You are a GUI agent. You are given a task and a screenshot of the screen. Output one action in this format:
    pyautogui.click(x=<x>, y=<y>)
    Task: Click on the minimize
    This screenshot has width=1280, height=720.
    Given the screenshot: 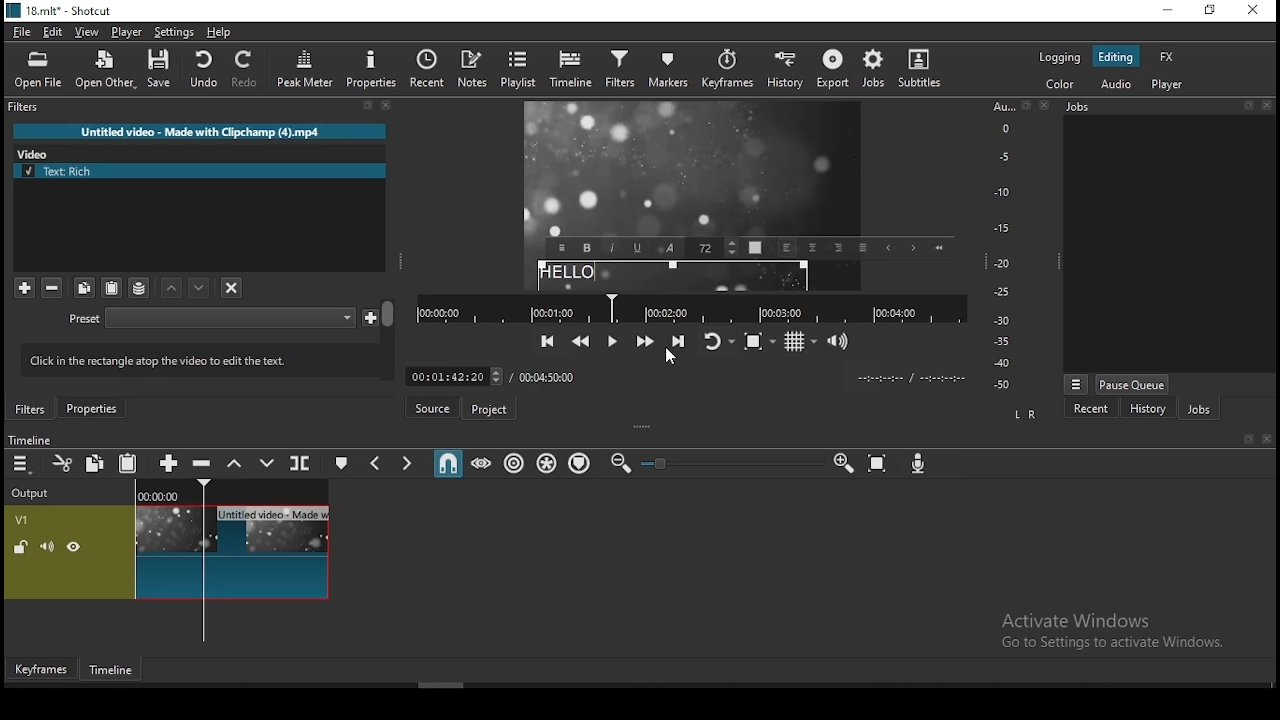 What is the action you would take?
    pyautogui.click(x=1171, y=9)
    